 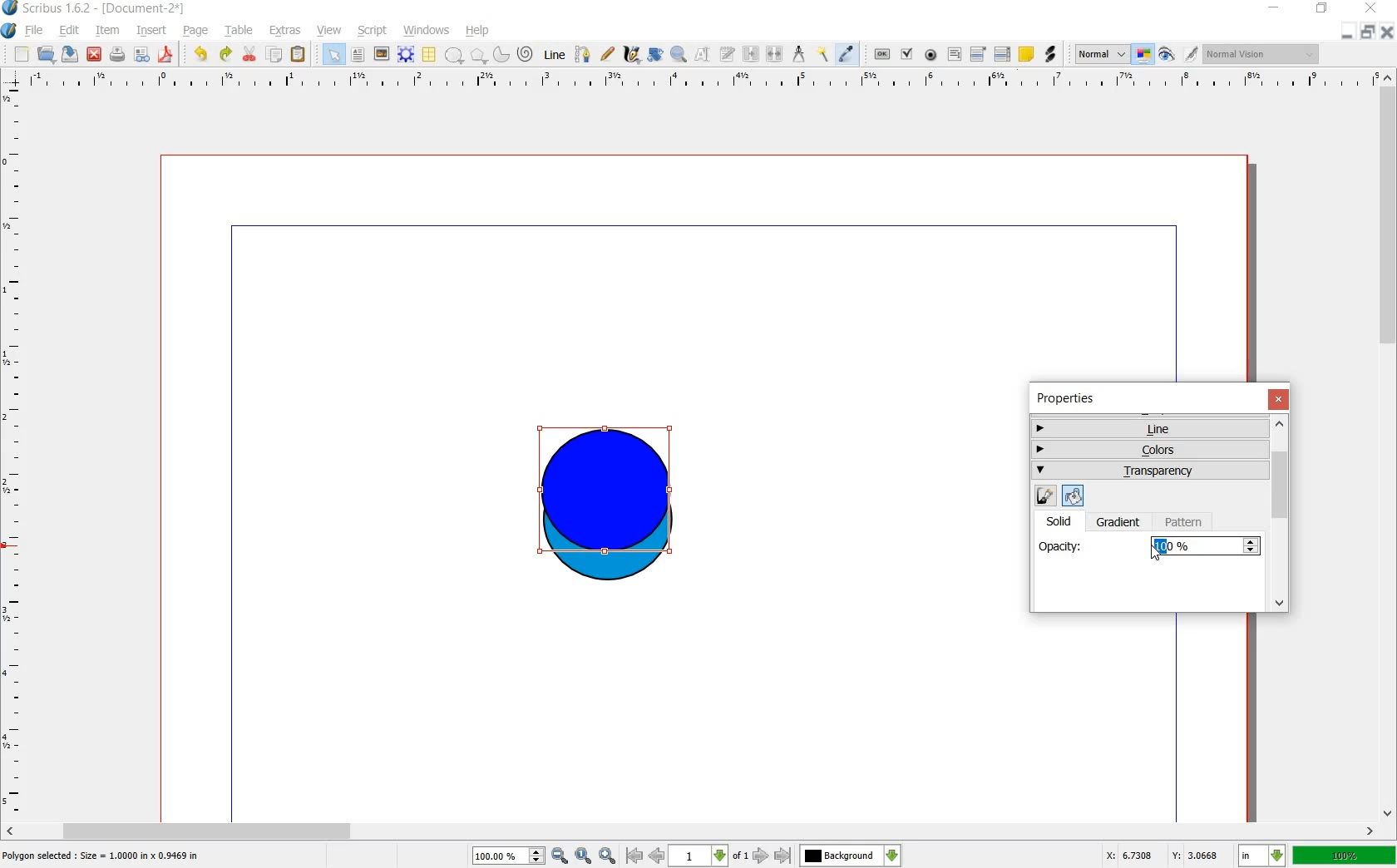 I want to click on cut, so click(x=251, y=55).